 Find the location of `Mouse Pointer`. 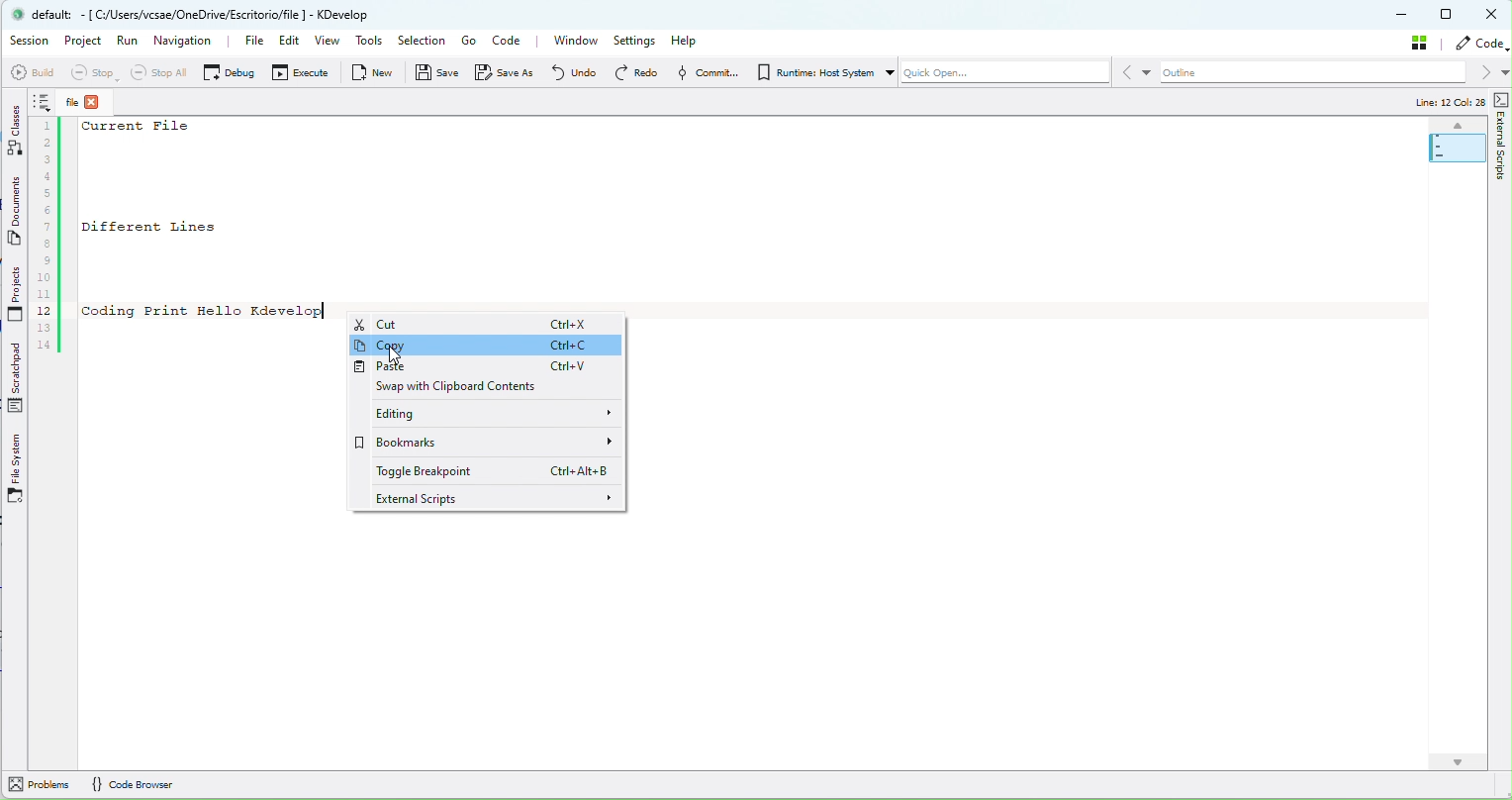

Mouse Pointer is located at coordinates (396, 357).